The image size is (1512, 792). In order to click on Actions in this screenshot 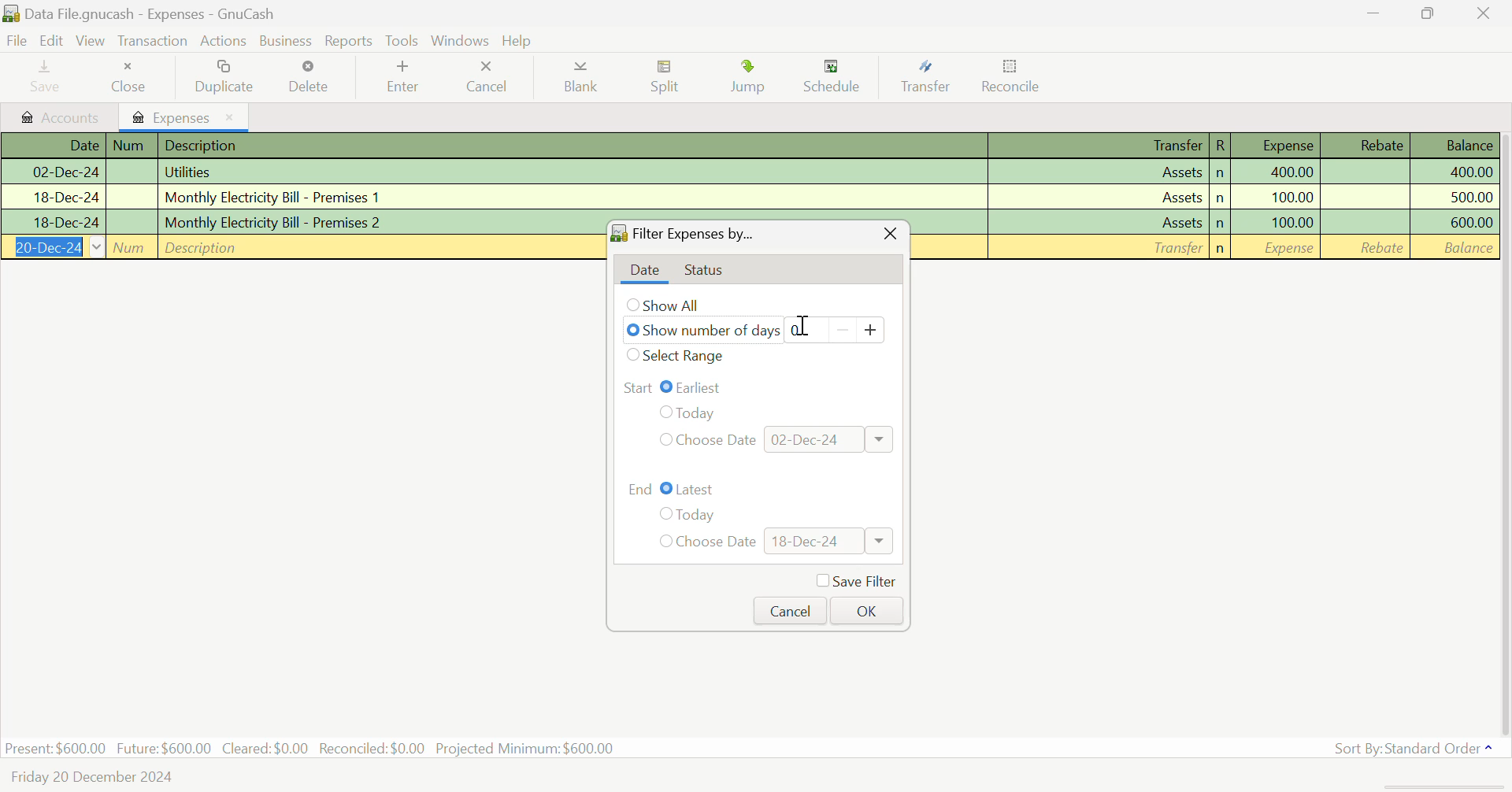, I will do `click(225, 40)`.